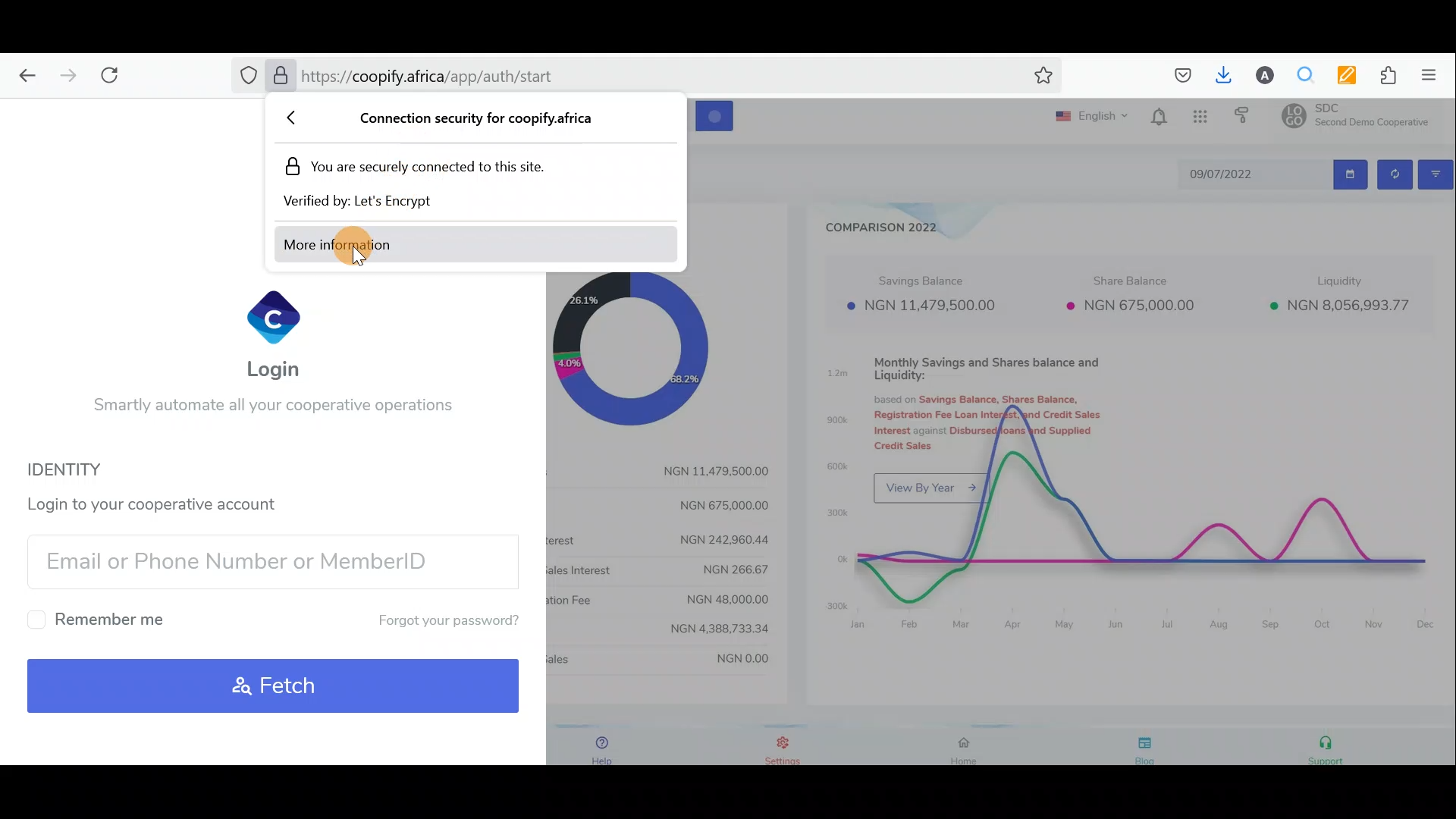 Image resolution: width=1456 pixels, height=819 pixels. What do you see at coordinates (473, 80) in the screenshot?
I see `Search bar` at bounding box center [473, 80].